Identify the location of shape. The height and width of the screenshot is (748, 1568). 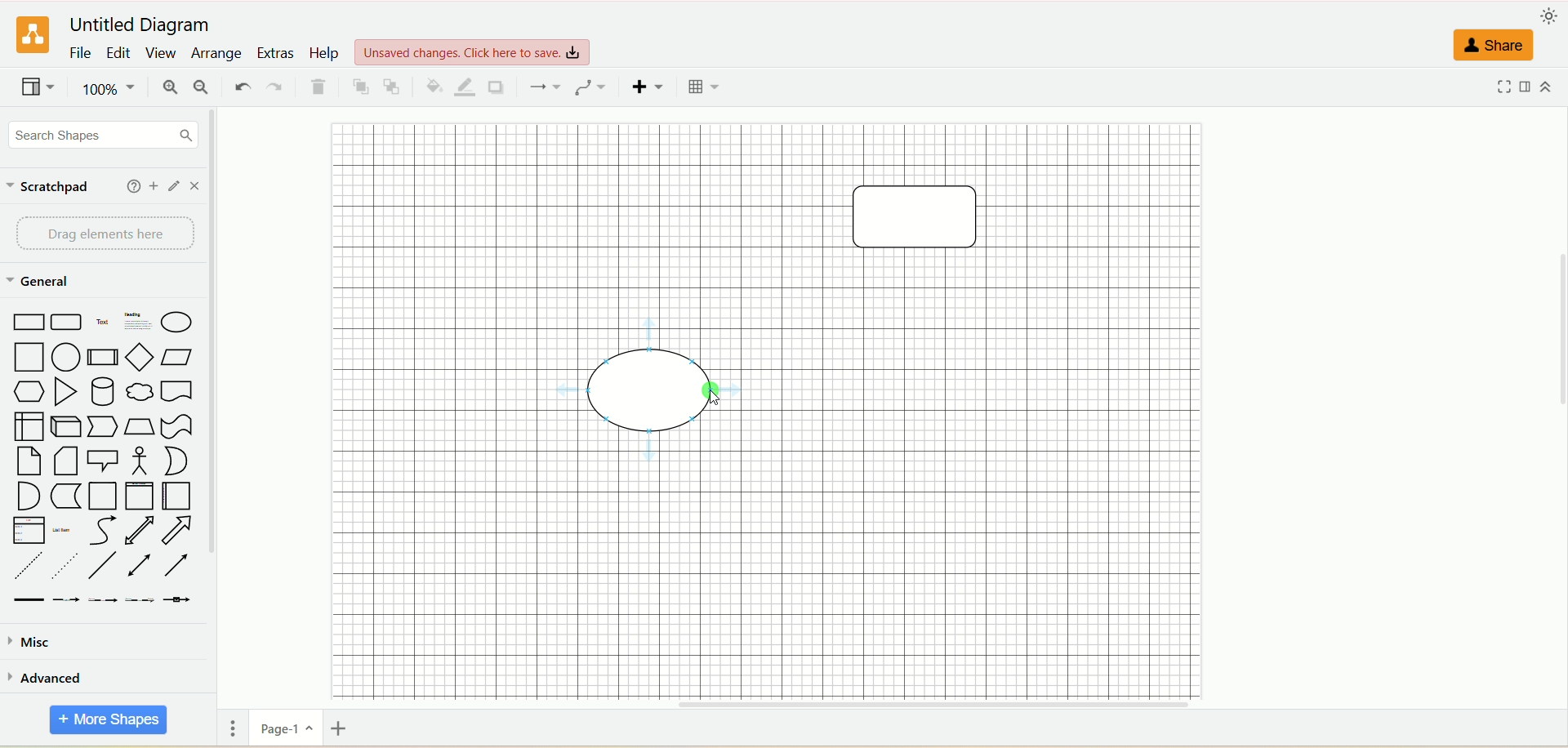
(648, 392).